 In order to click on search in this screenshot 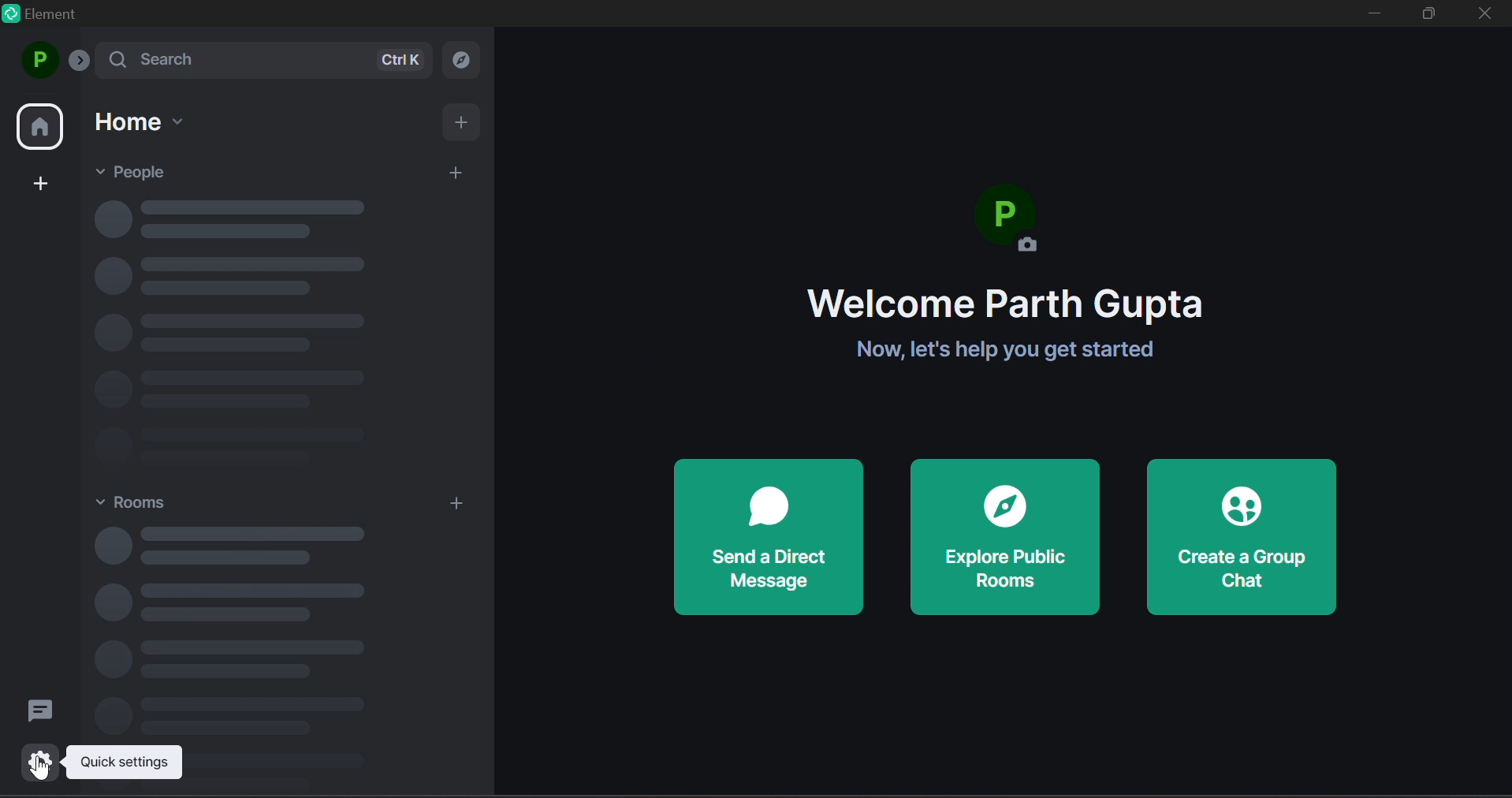, I will do `click(467, 58)`.